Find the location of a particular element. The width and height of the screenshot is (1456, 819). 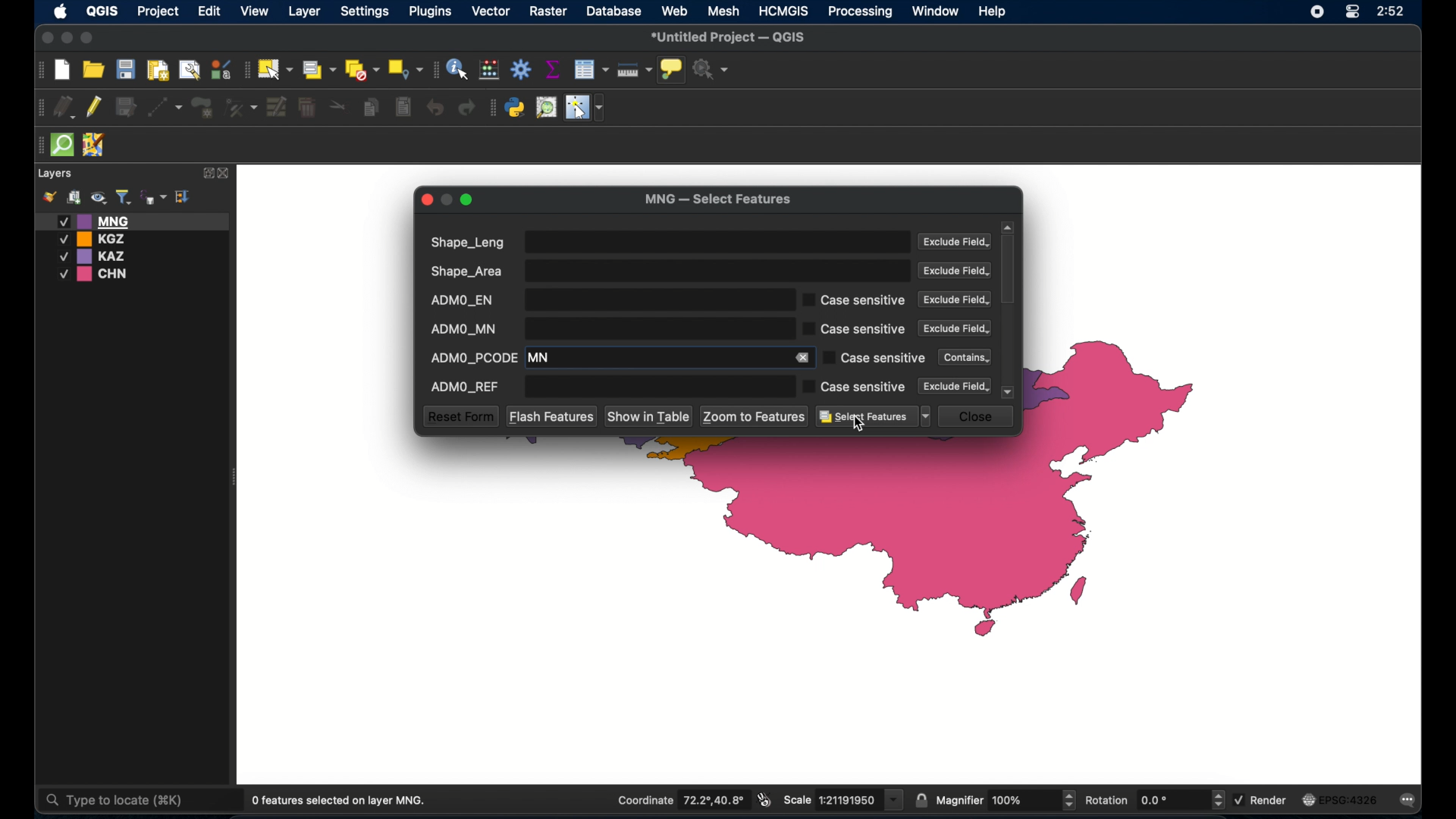

scroll down arrow is located at coordinates (1009, 392).